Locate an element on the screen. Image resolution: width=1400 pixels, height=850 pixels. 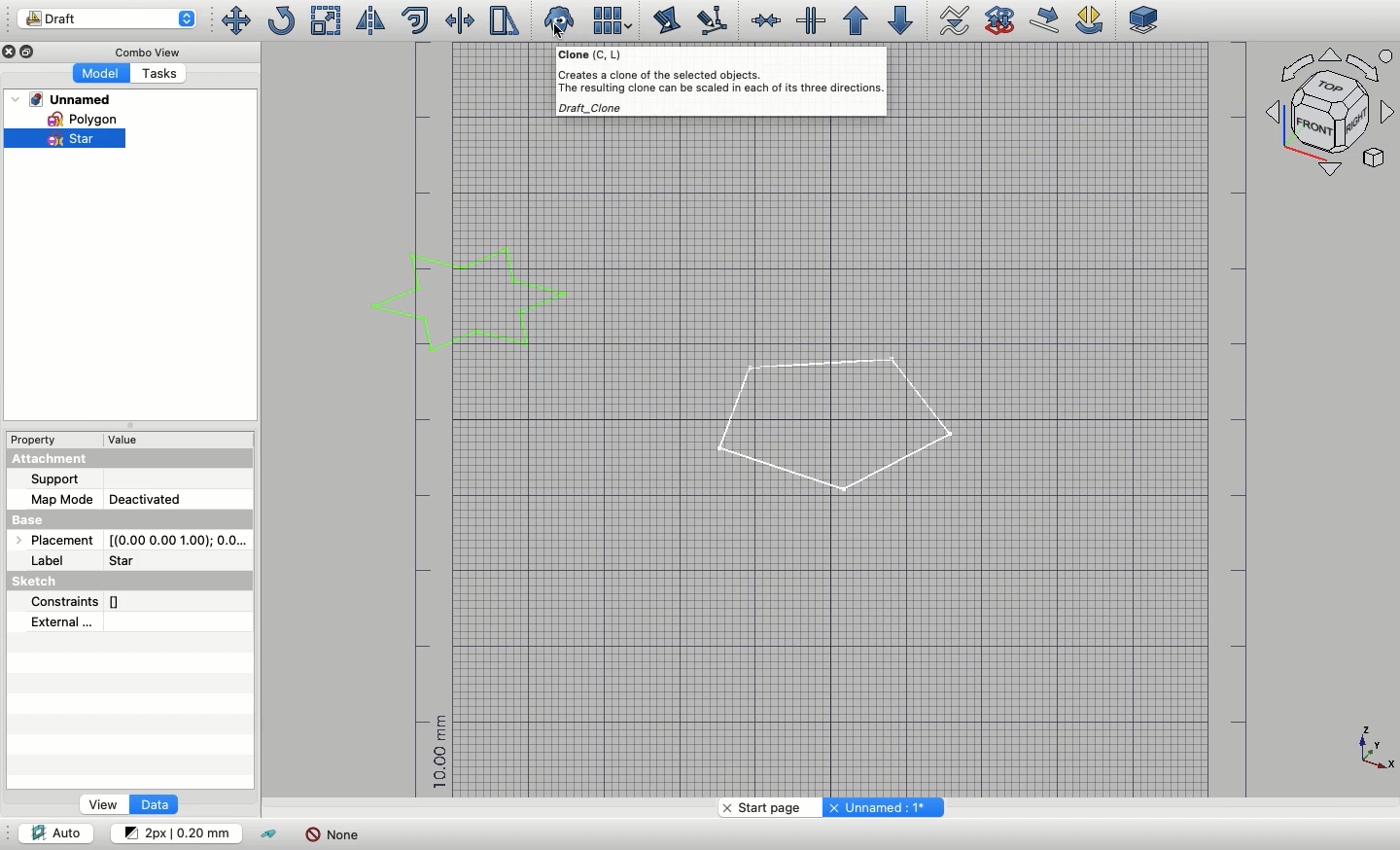
Navigation styles is located at coordinates (1332, 115).